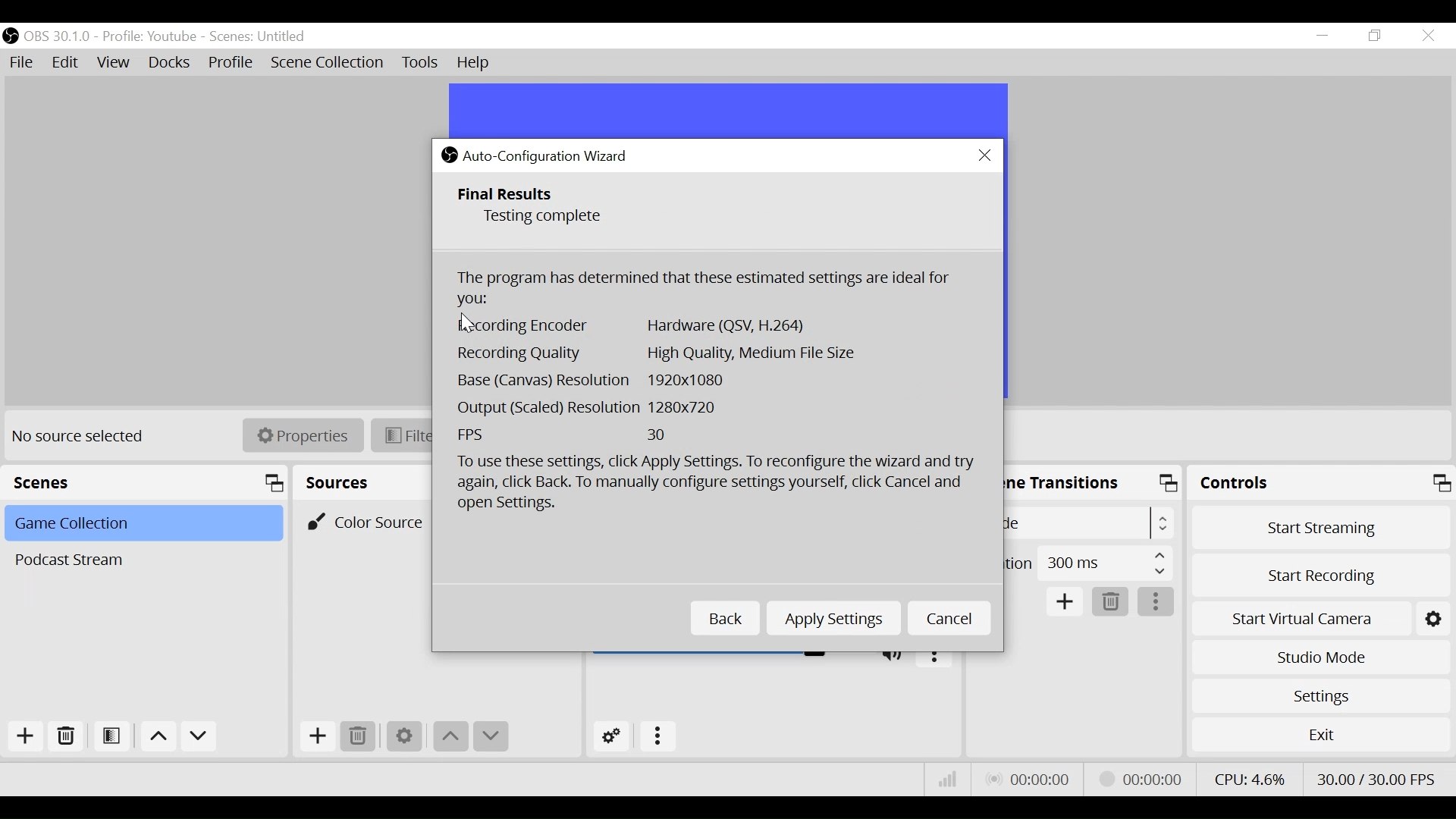  I want to click on To use these settings, click Apply Settings. To reconfigure the wizard and try again click back. To manually configure the settings, click Cancel and open Settings, so click(720, 485).